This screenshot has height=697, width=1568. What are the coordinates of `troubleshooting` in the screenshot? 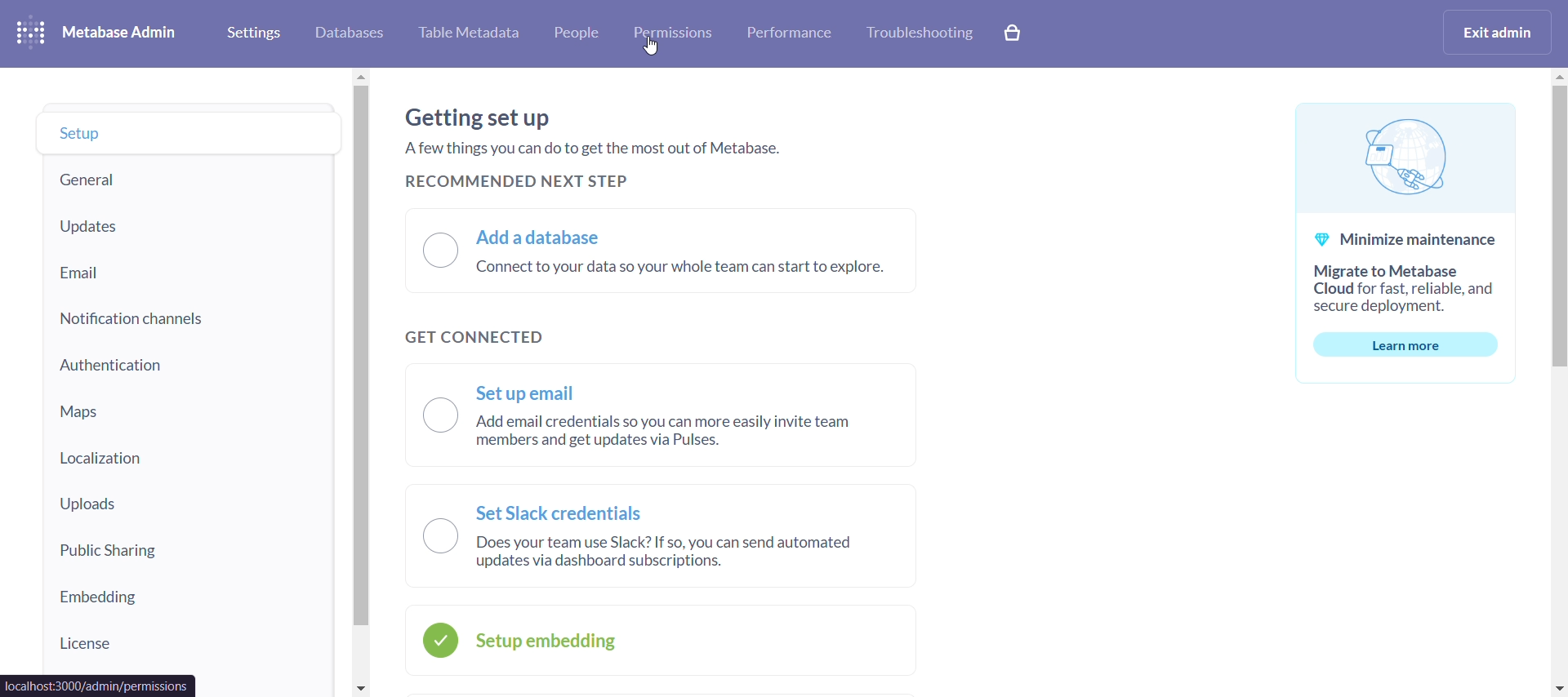 It's located at (920, 34).